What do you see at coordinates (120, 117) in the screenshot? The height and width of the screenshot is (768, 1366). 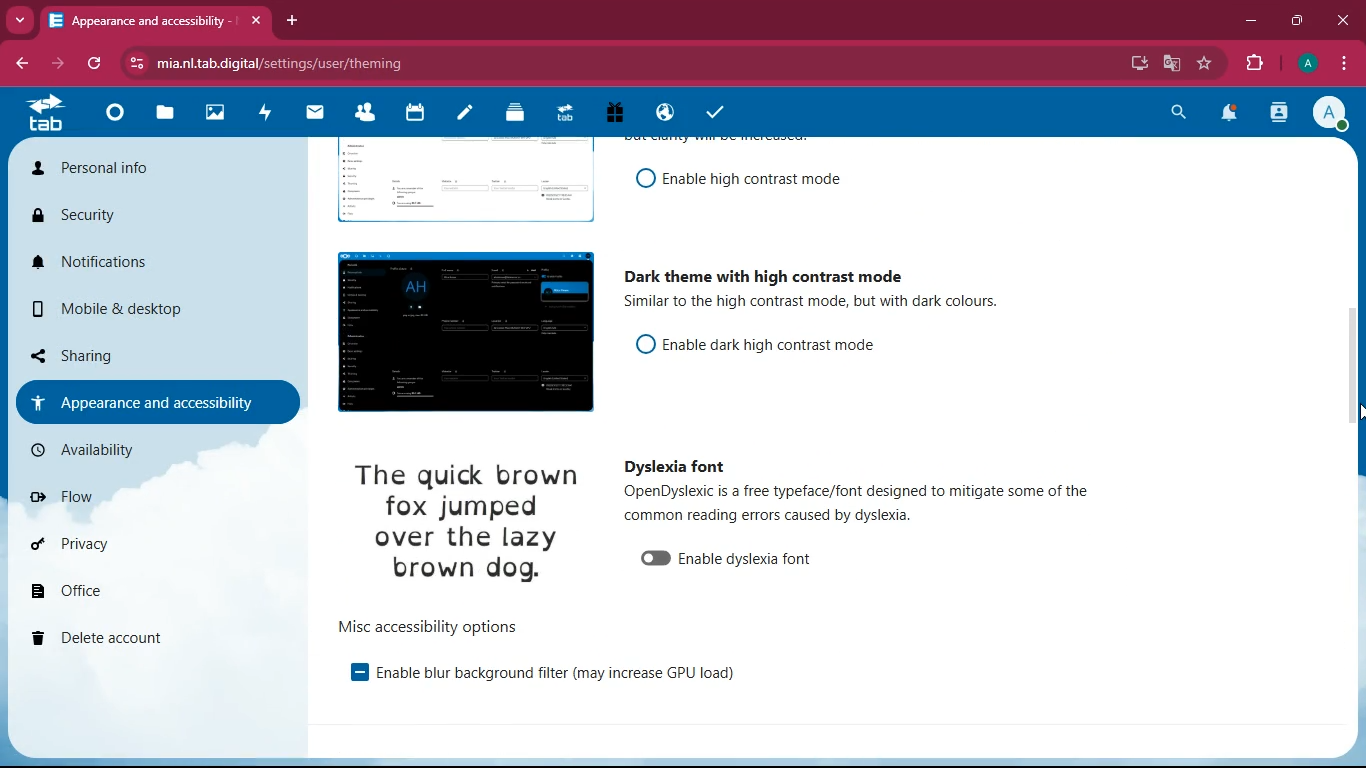 I see `home` at bounding box center [120, 117].